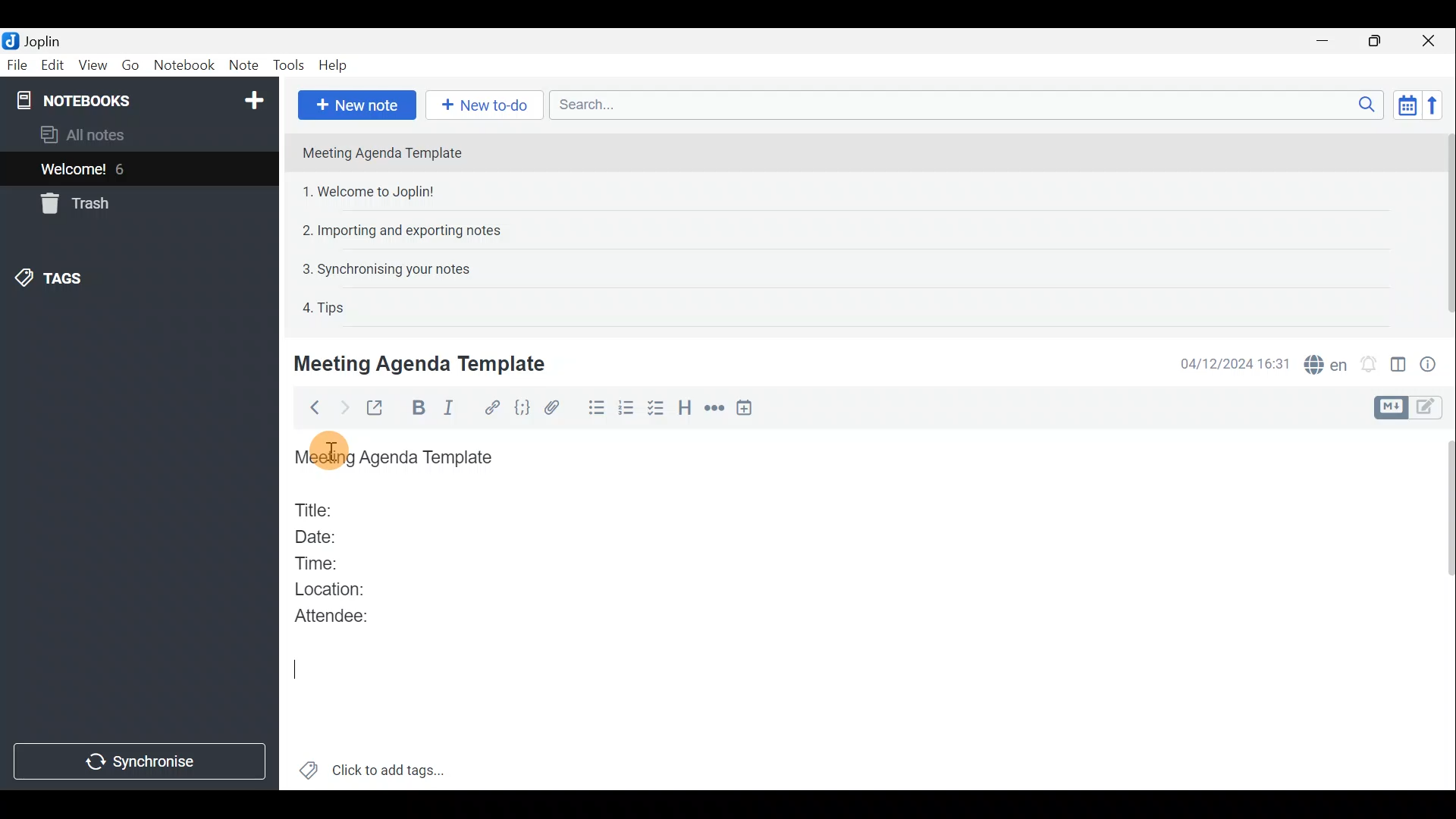  Describe the element at coordinates (286, 63) in the screenshot. I see `Tools` at that location.